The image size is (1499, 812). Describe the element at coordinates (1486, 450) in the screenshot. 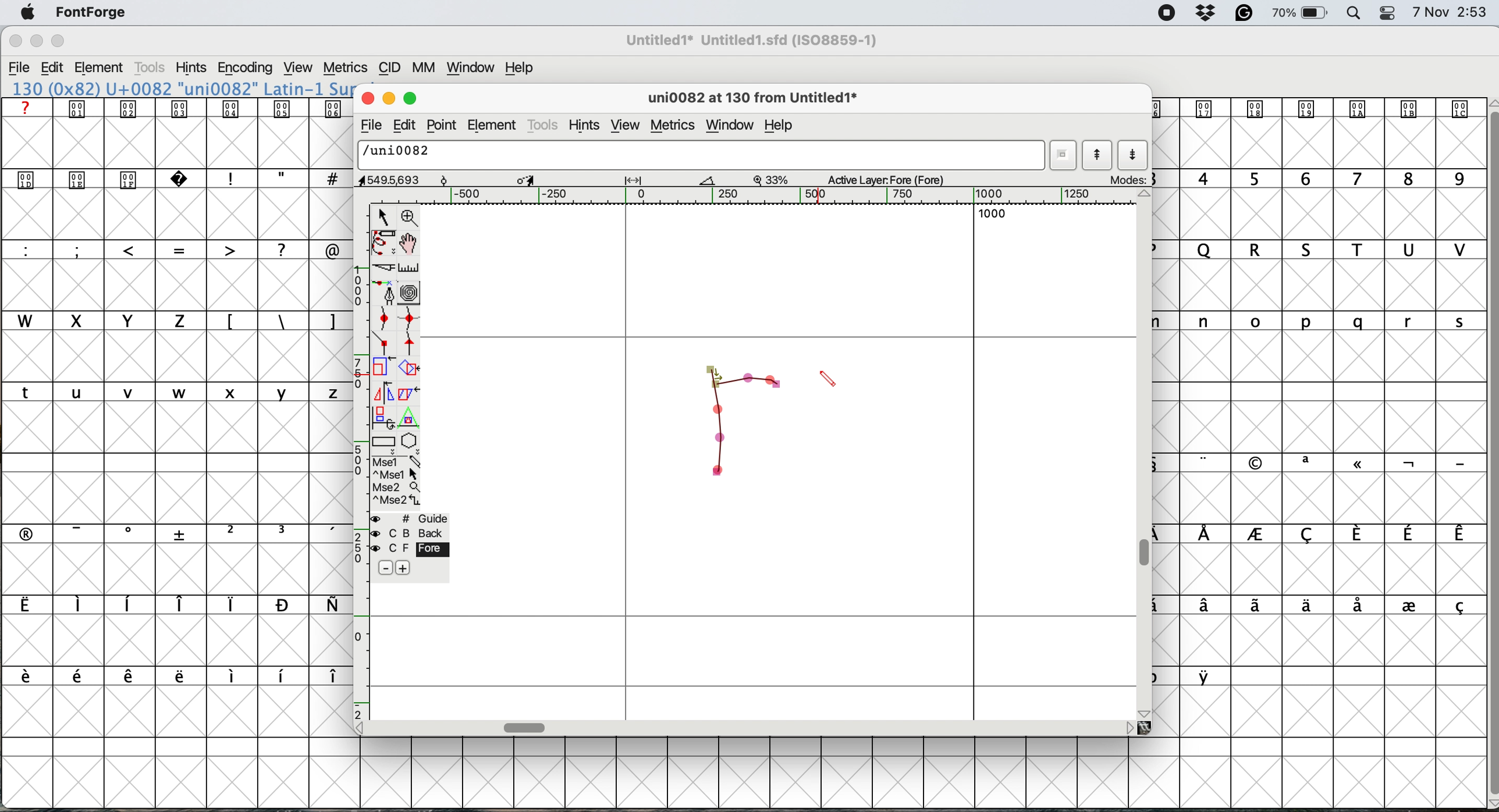

I see `vertical scroll bar` at that location.